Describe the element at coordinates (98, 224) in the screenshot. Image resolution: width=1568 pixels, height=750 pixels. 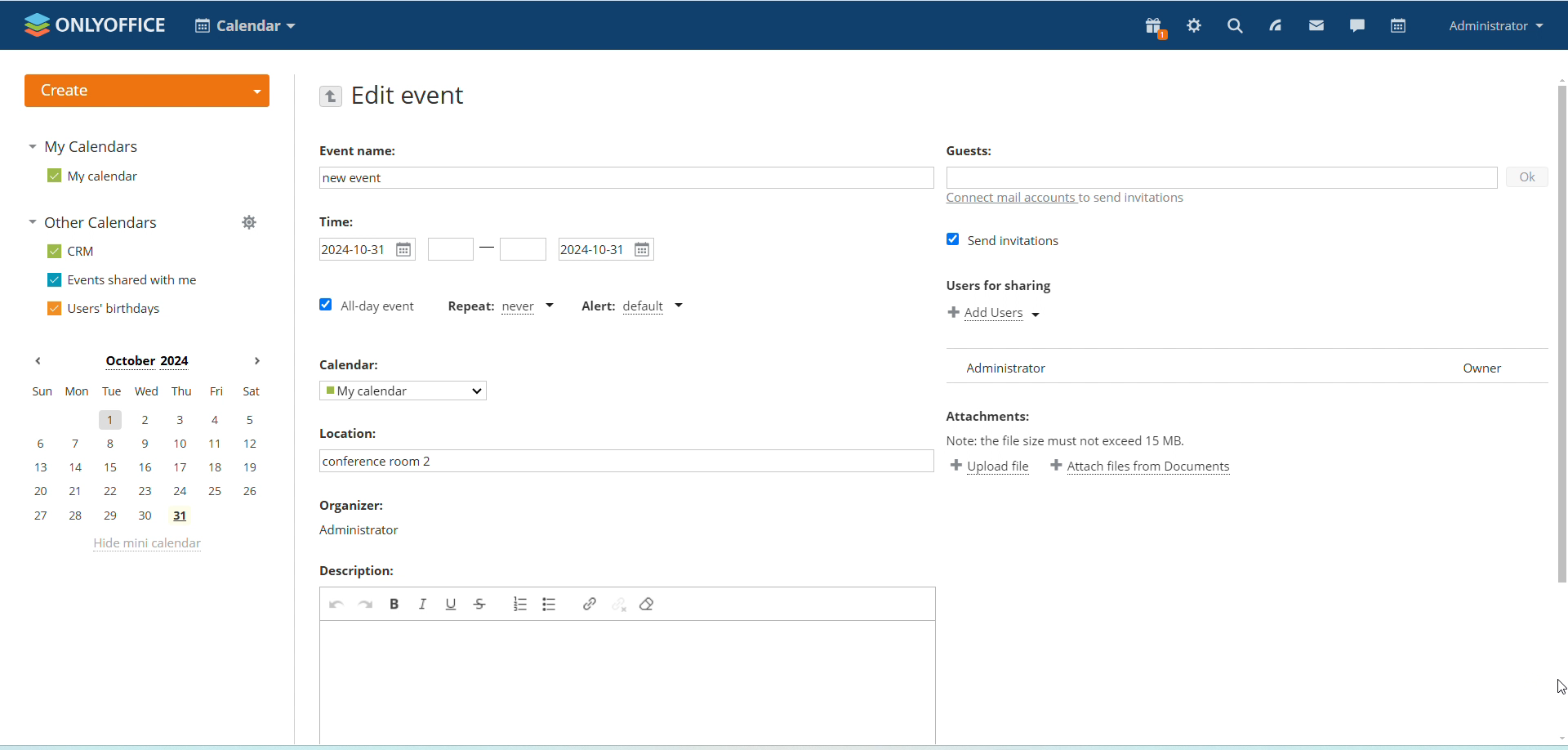
I see `other calendars` at that location.